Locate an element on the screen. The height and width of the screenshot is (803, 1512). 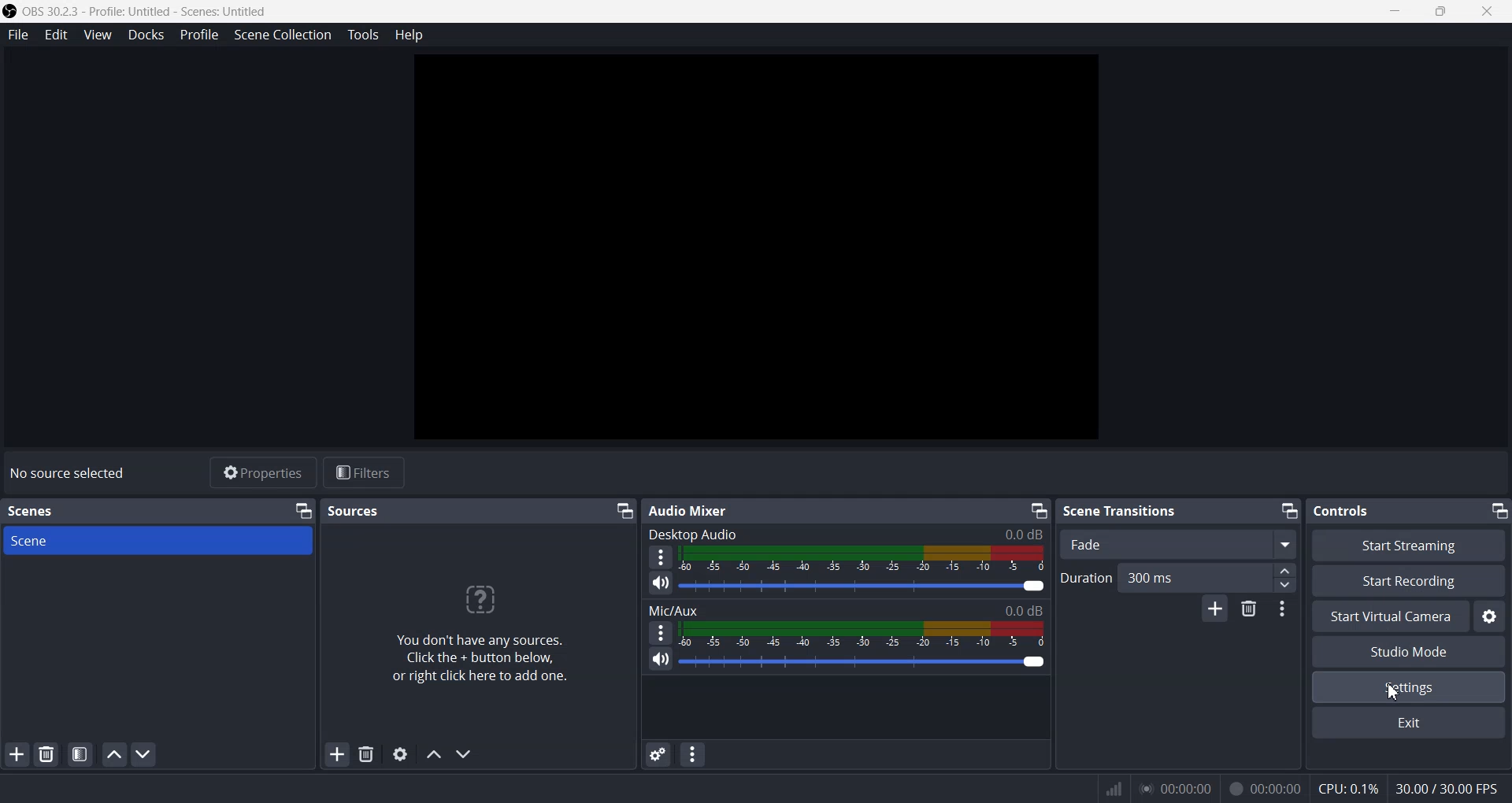
Audio Mixer menu is located at coordinates (692, 755).